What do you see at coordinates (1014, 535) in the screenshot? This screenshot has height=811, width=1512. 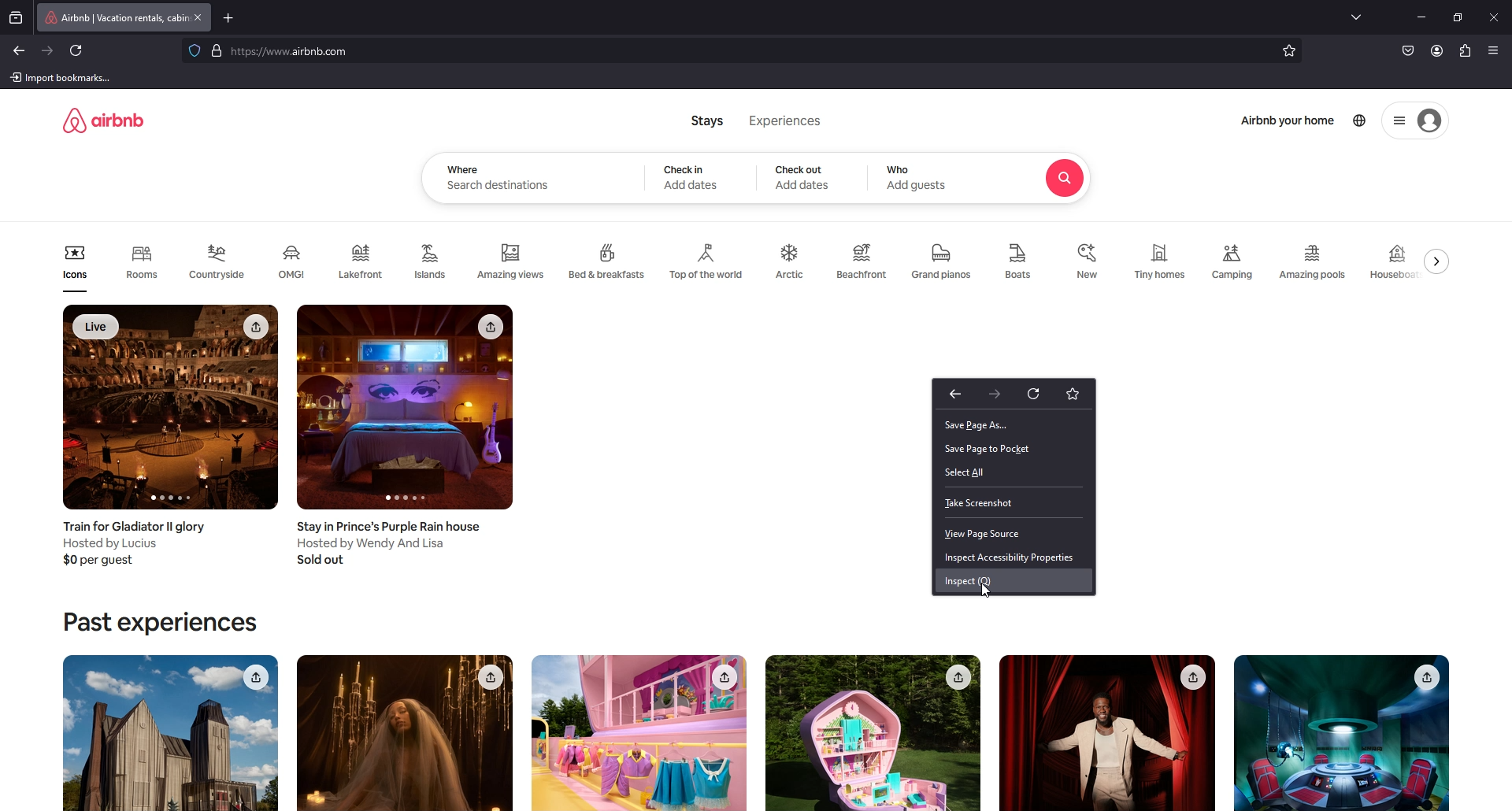 I see `view page source` at bounding box center [1014, 535].